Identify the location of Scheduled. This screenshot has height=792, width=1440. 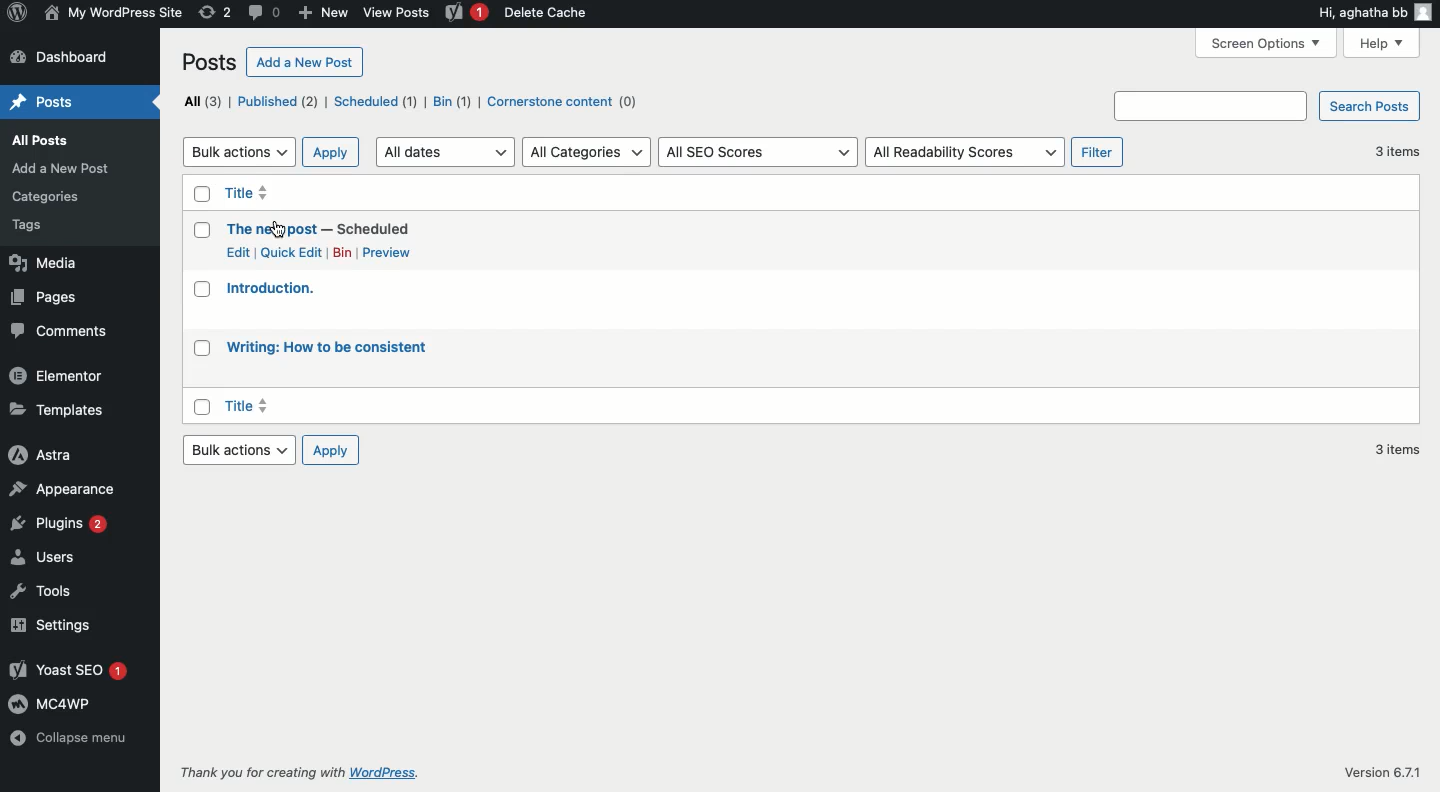
(369, 102).